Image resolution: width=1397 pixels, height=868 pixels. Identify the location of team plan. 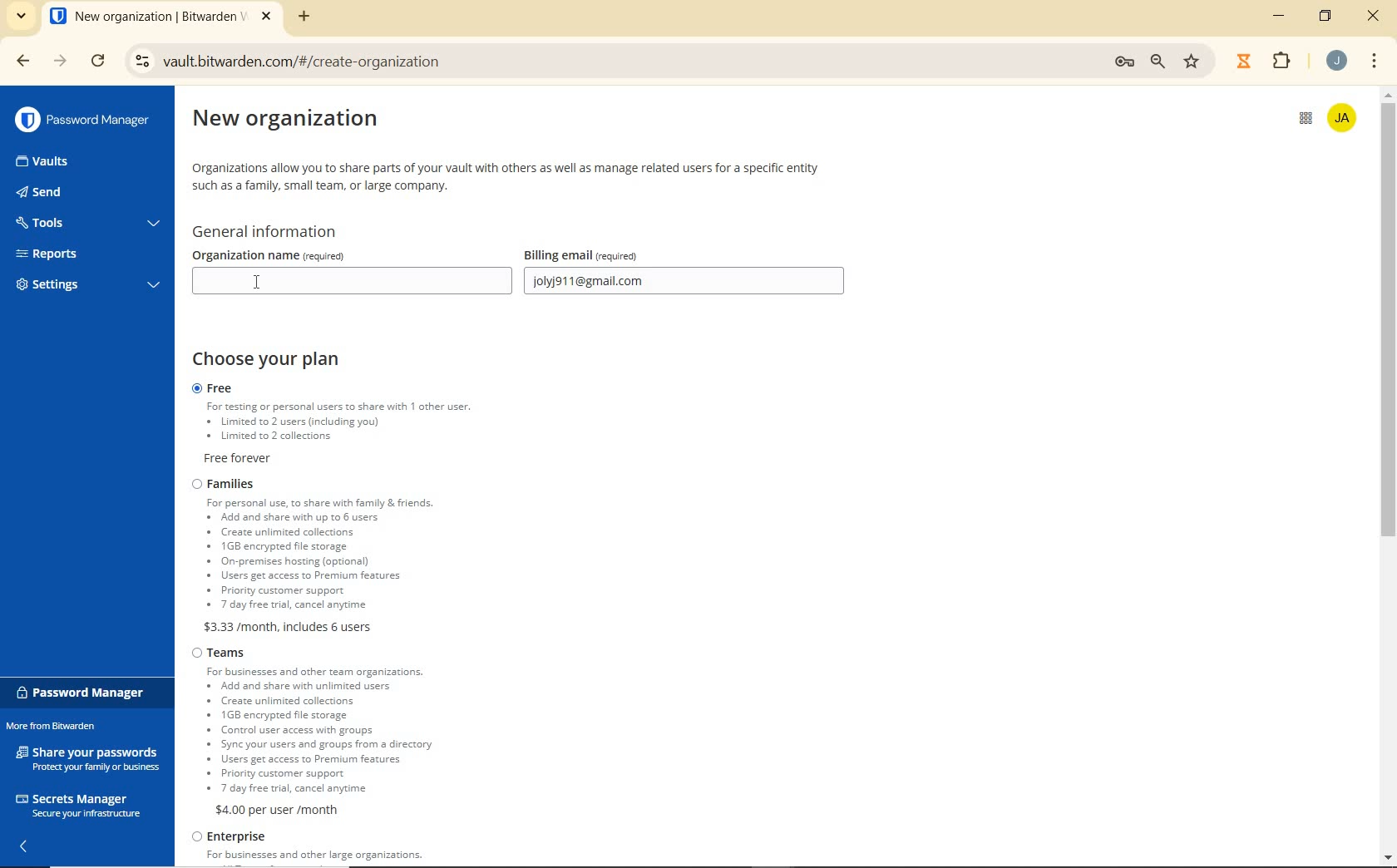
(322, 731).